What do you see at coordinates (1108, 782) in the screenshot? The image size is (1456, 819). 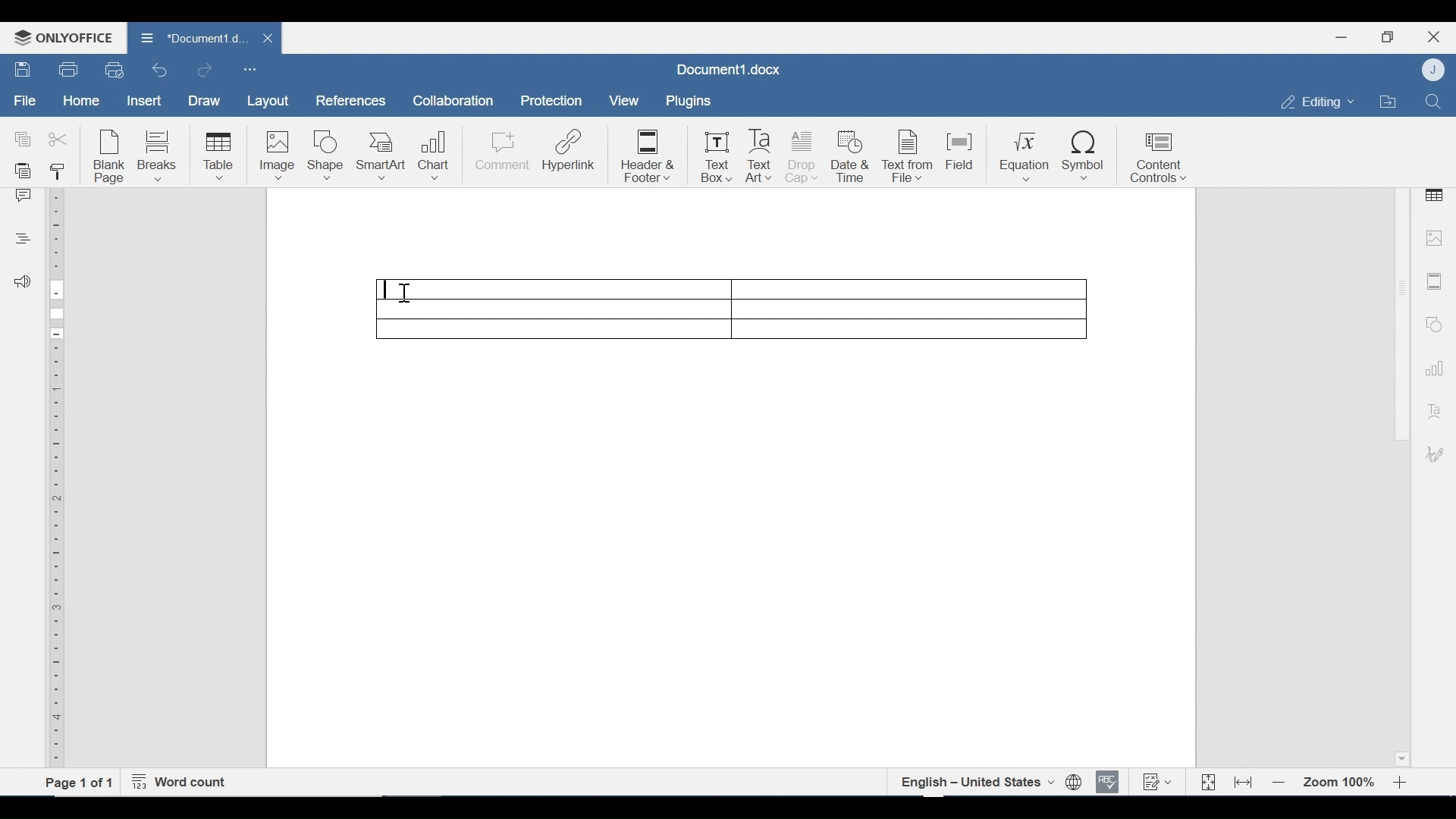 I see `Spell checking` at bounding box center [1108, 782].